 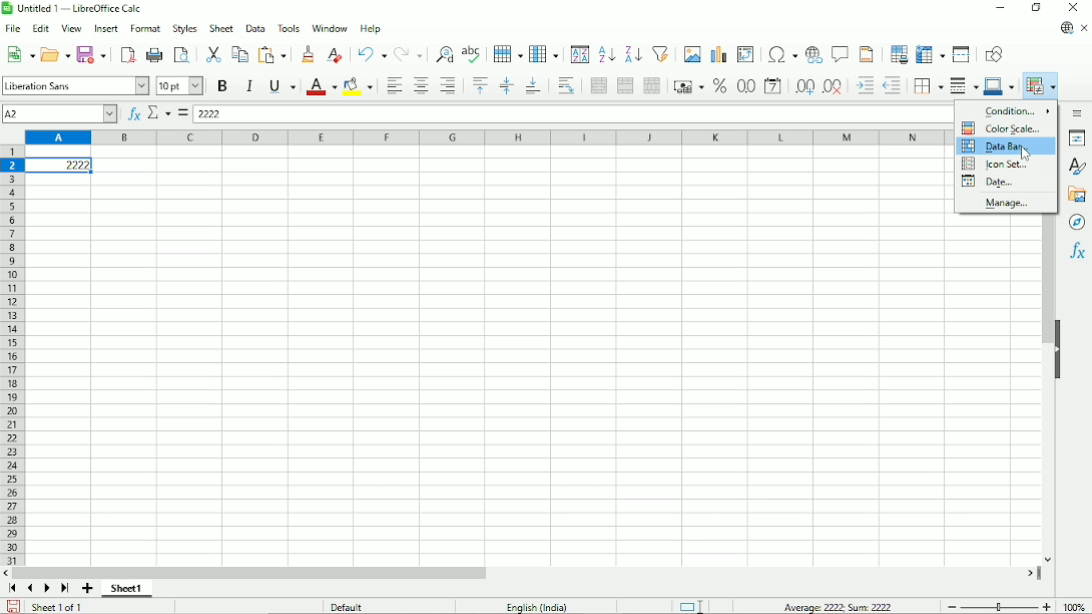 I want to click on Data bar, so click(x=1005, y=146).